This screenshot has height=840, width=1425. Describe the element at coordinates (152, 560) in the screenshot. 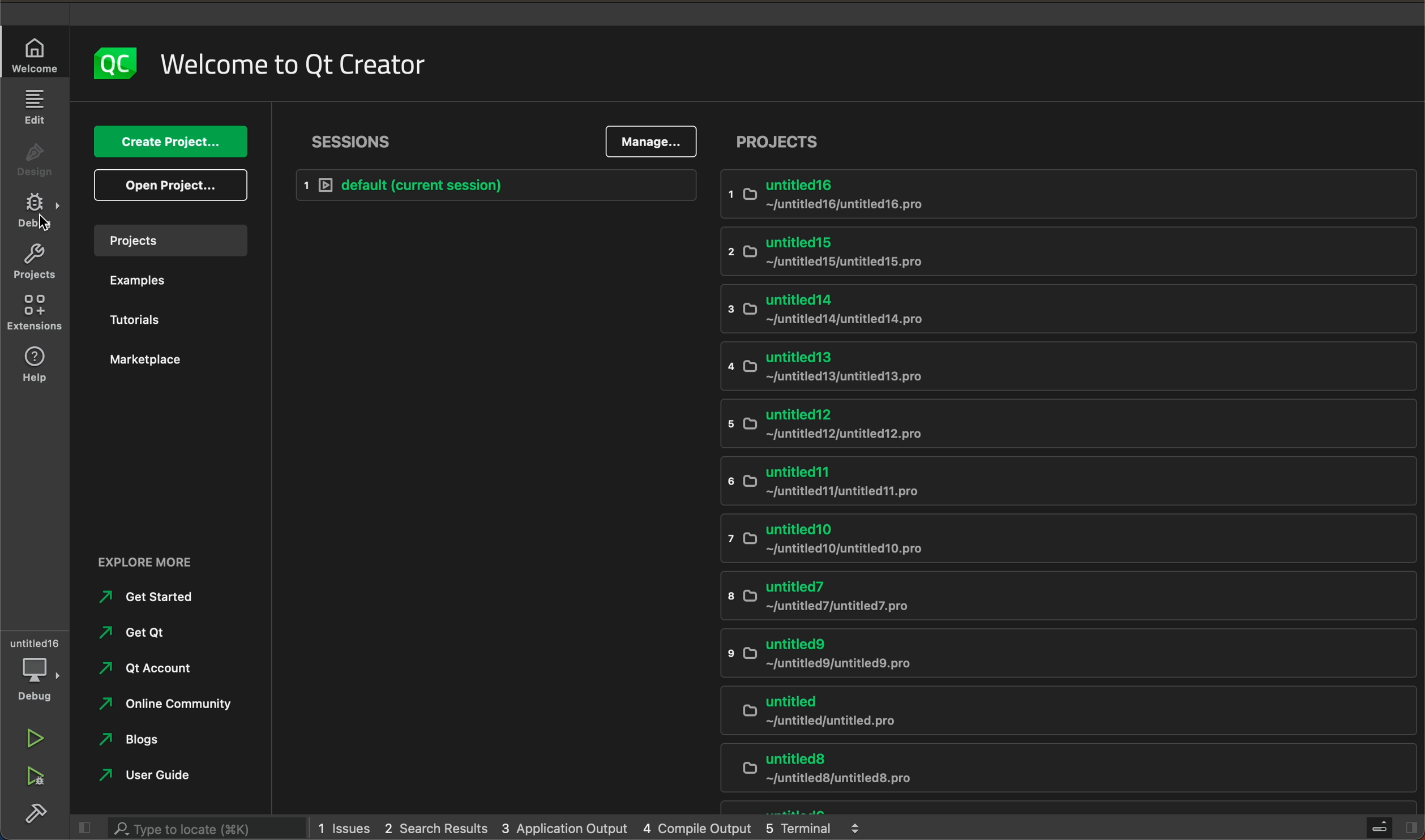

I see `explore more` at that location.